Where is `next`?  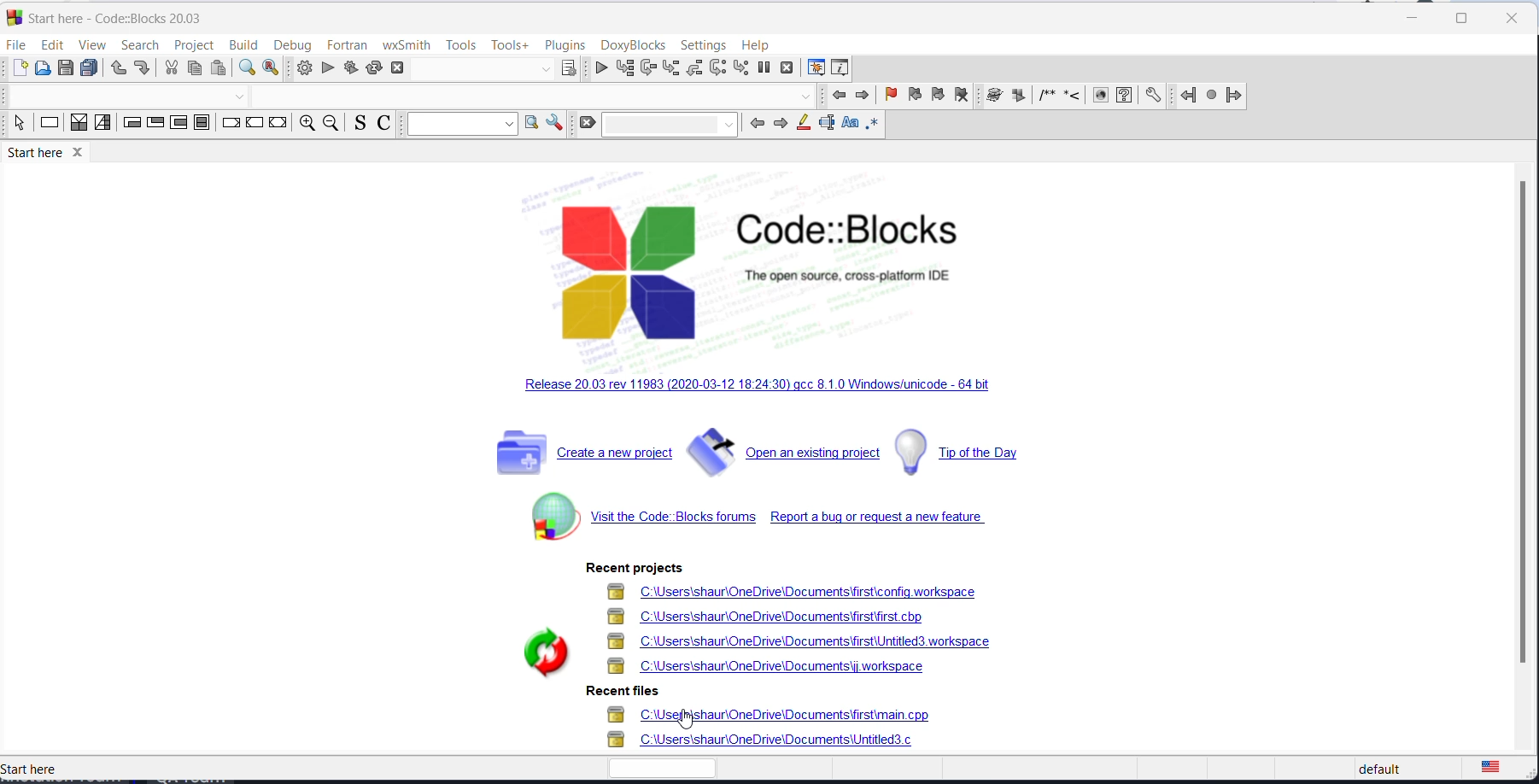 next is located at coordinates (862, 96).